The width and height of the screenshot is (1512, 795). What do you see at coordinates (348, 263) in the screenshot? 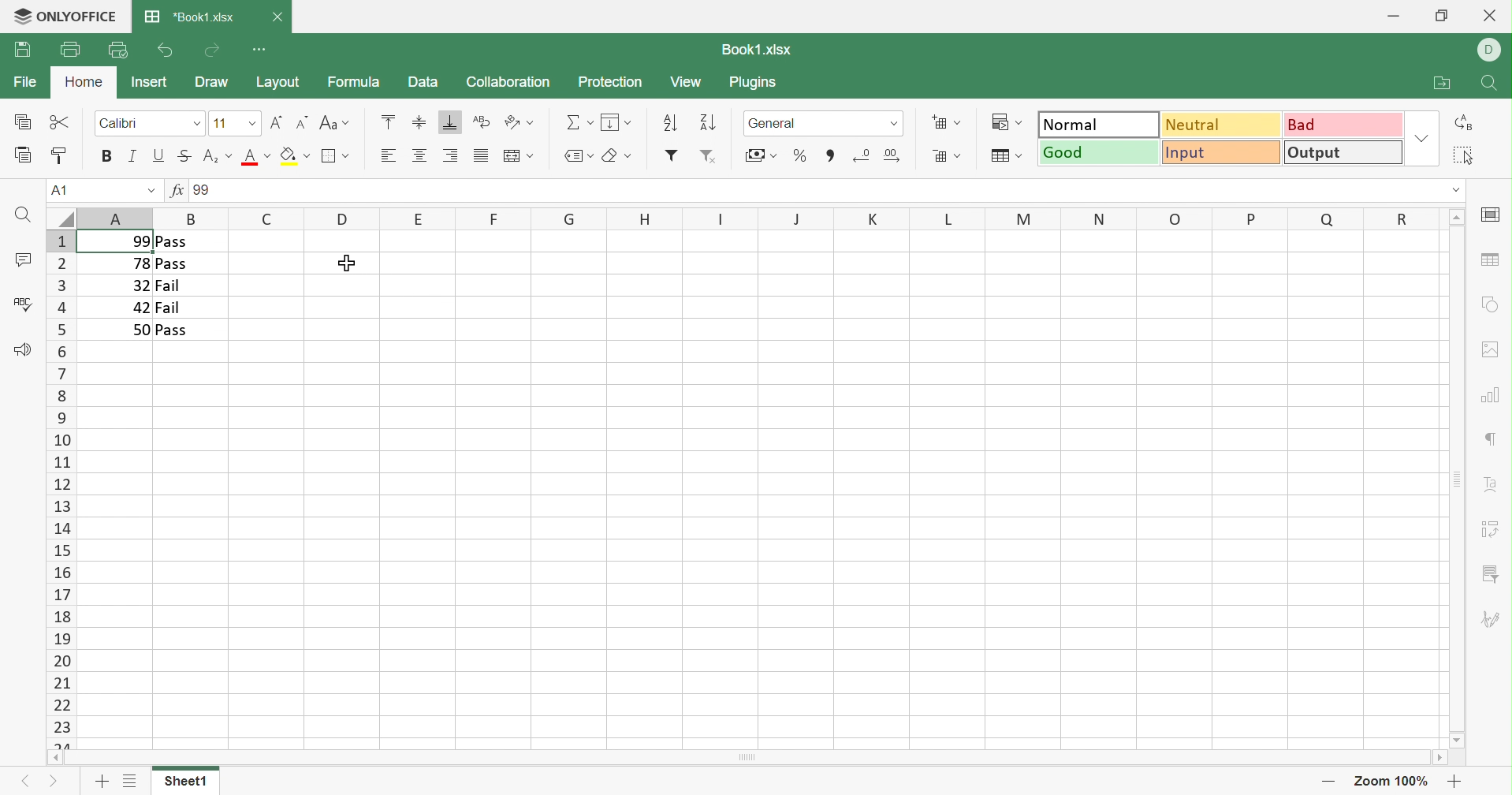
I see `Cursor` at bounding box center [348, 263].